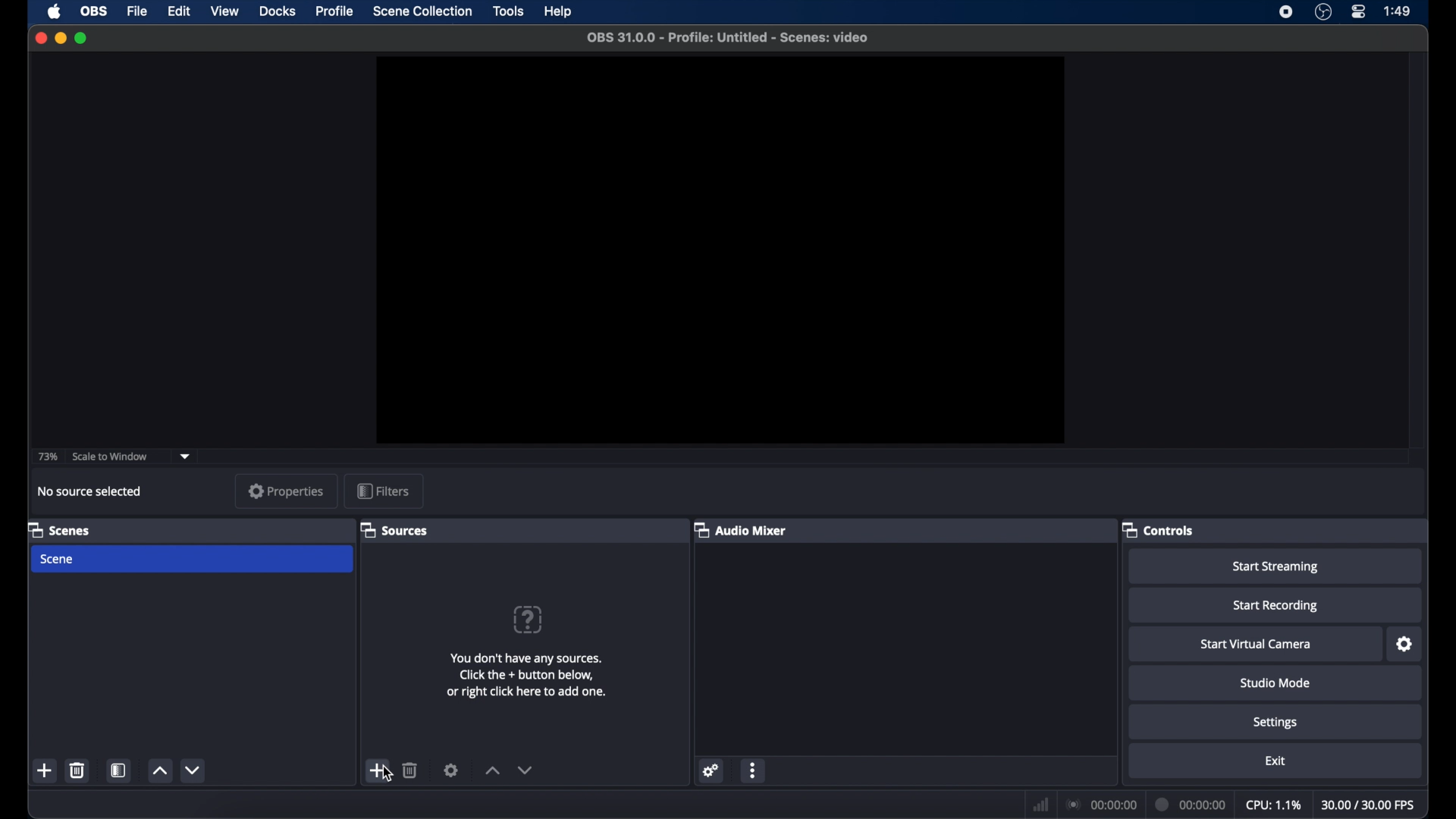 This screenshot has width=1456, height=819. What do you see at coordinates (40, 38) in the screenshot?
I see `close` at bounding box center [40, 38].